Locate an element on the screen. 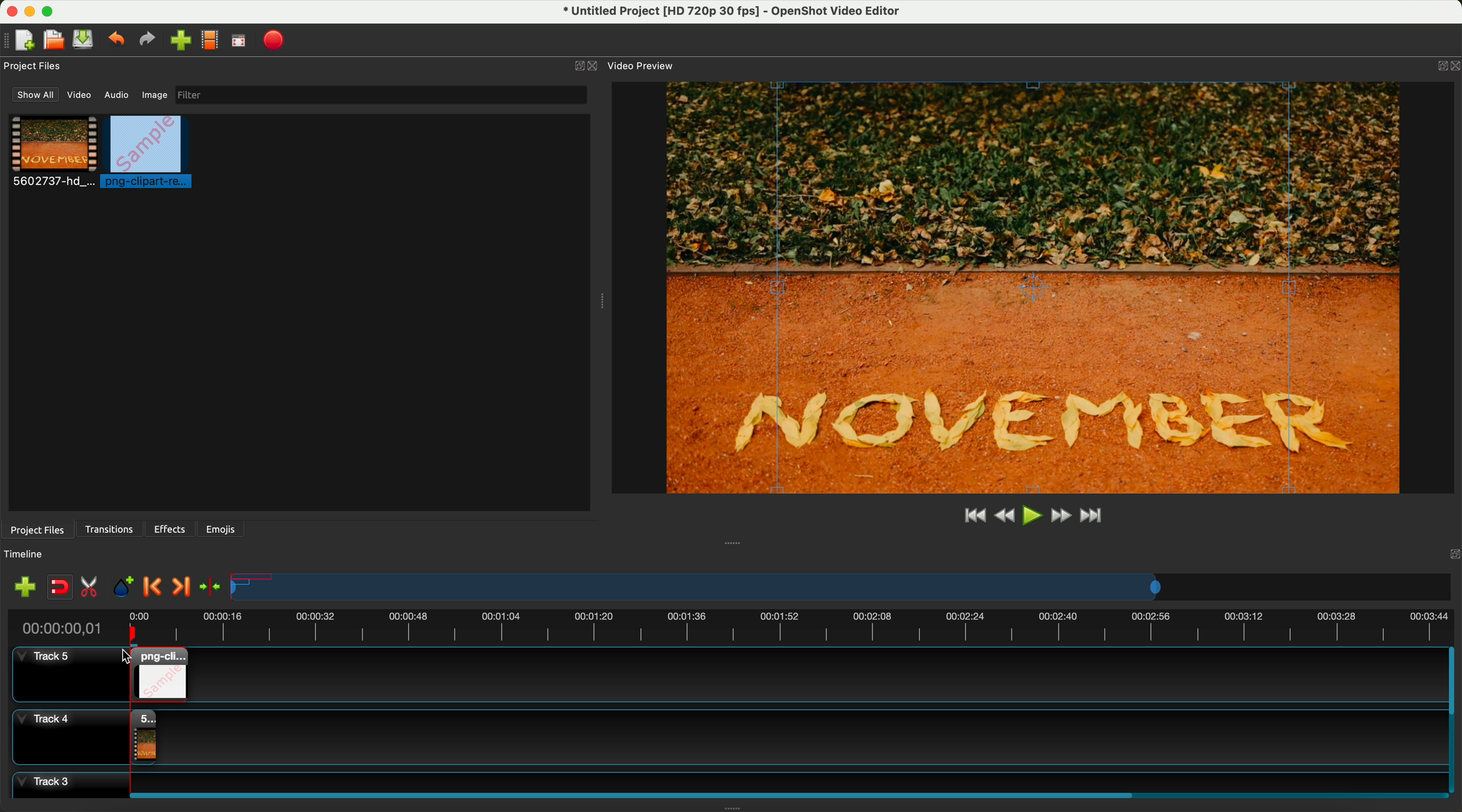 This screenshot has width=1462, height=812. audio is located at coordinates (117, 94).